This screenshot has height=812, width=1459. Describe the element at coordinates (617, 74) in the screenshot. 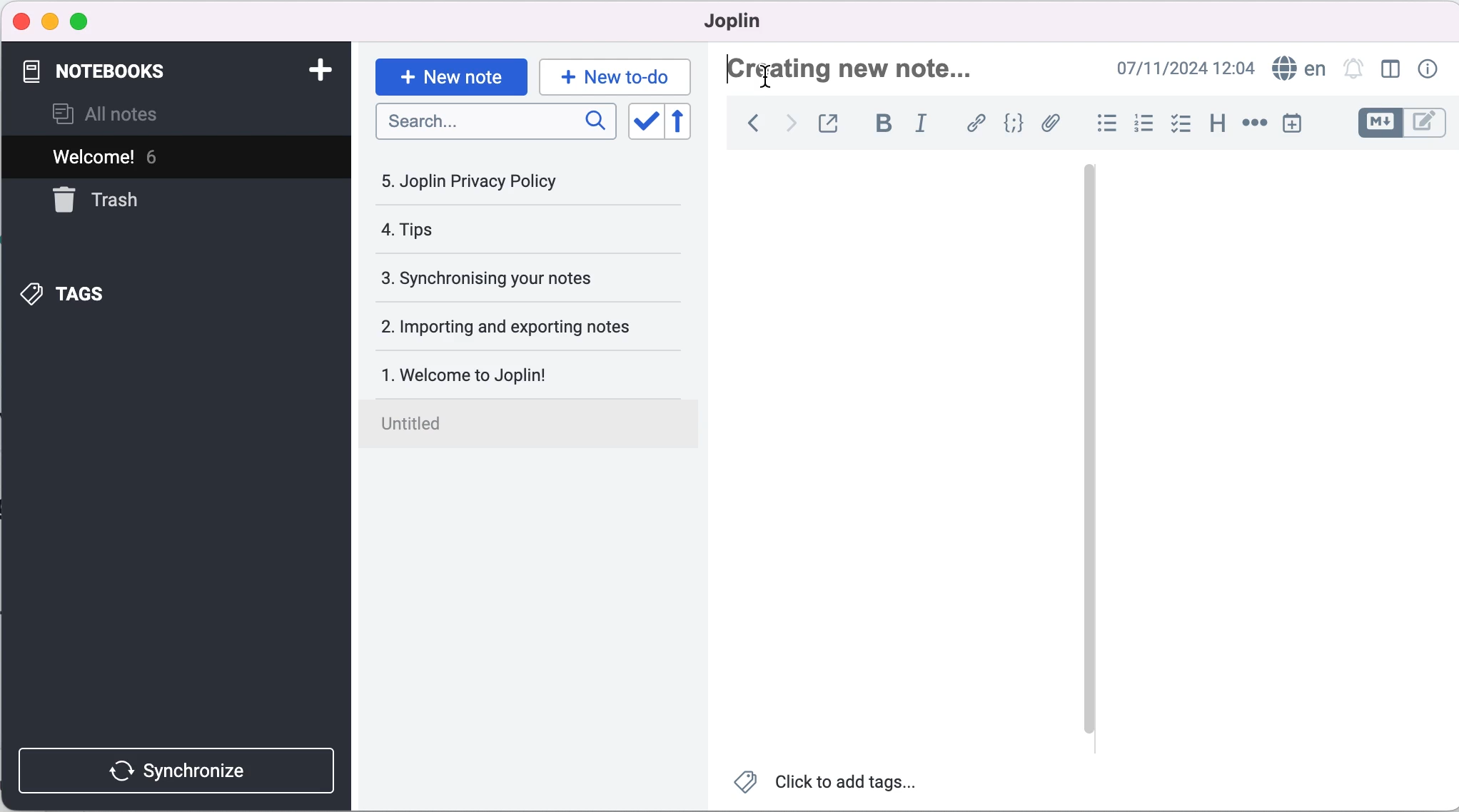

I see `new to-do` at that location.